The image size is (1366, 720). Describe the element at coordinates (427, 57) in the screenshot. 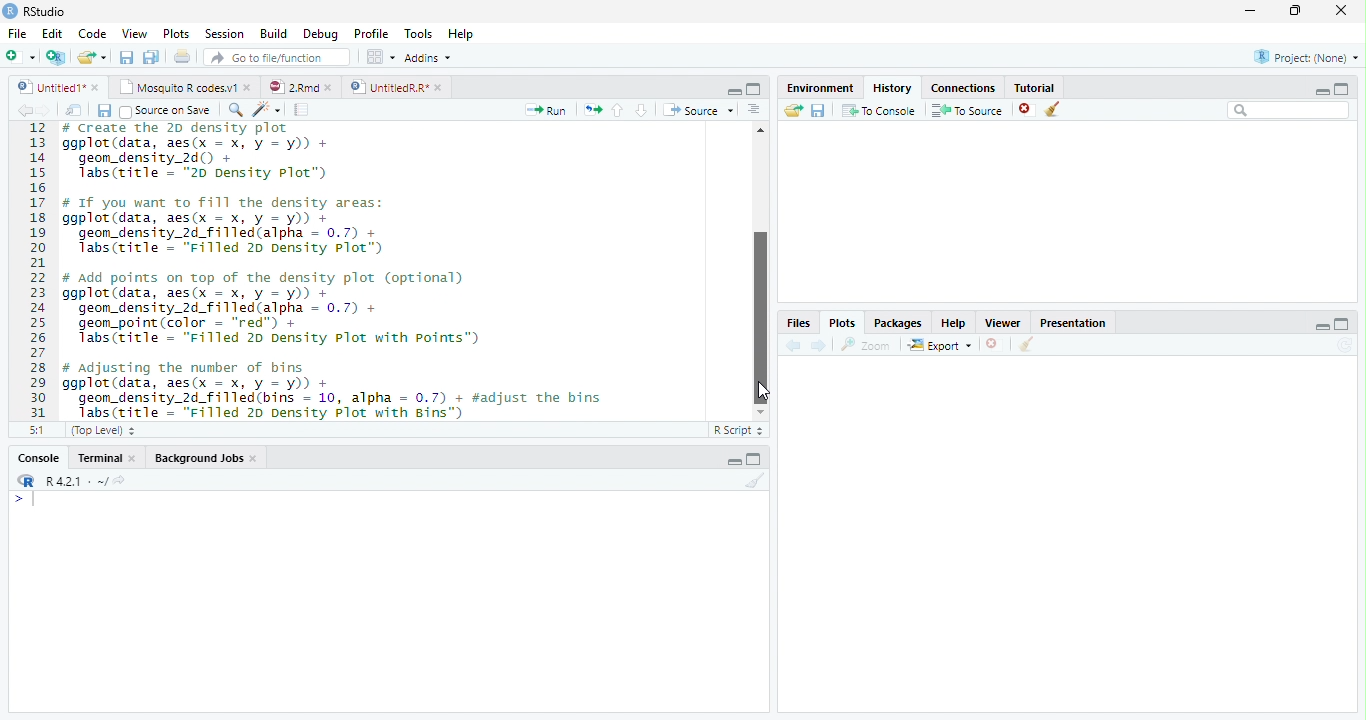

I see `Addins` at that location.